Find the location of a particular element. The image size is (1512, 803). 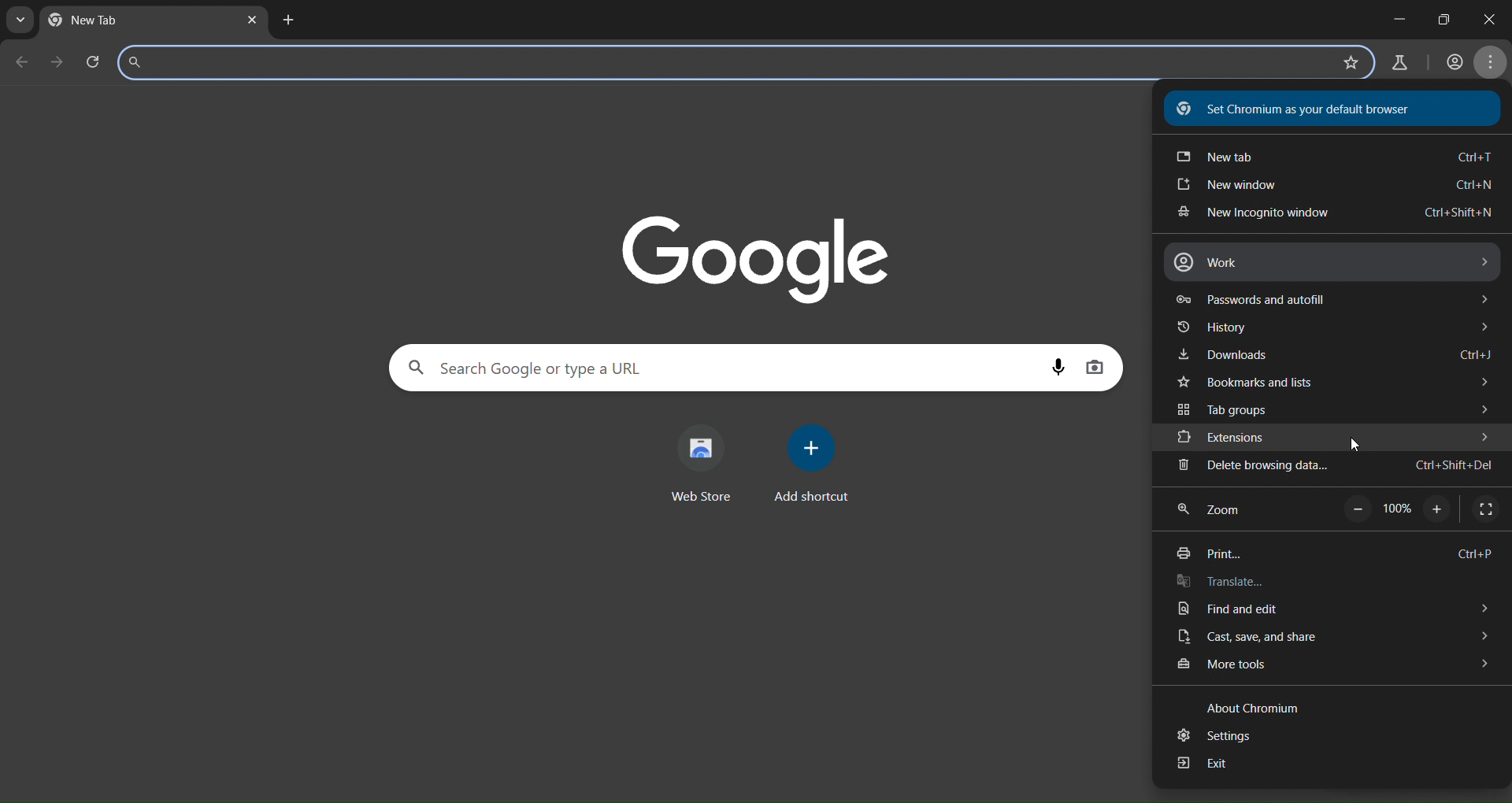

current tab is located at coordinates (94, 20).